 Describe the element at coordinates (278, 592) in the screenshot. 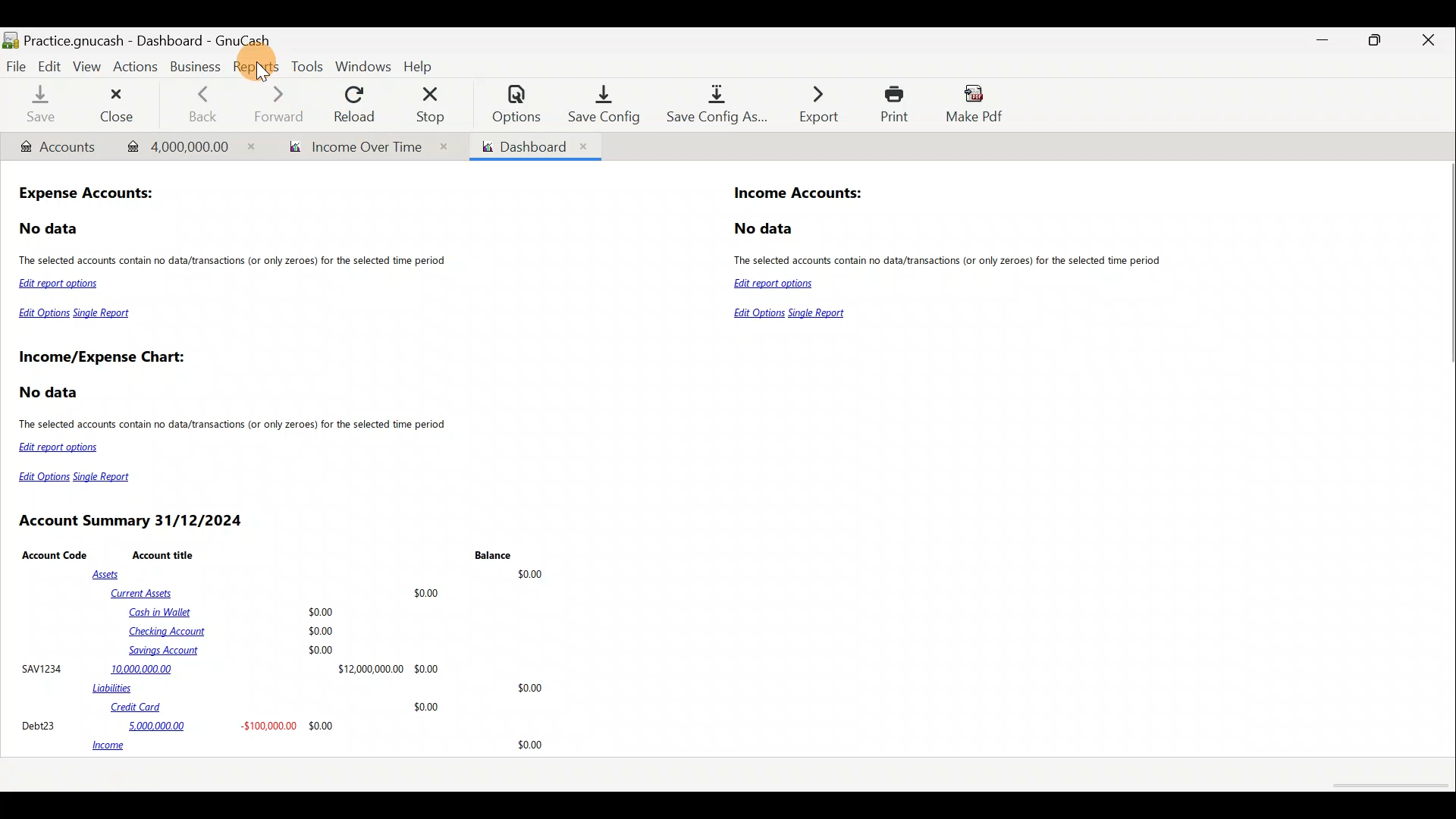

I see `Current Assets $0.00` at that location.